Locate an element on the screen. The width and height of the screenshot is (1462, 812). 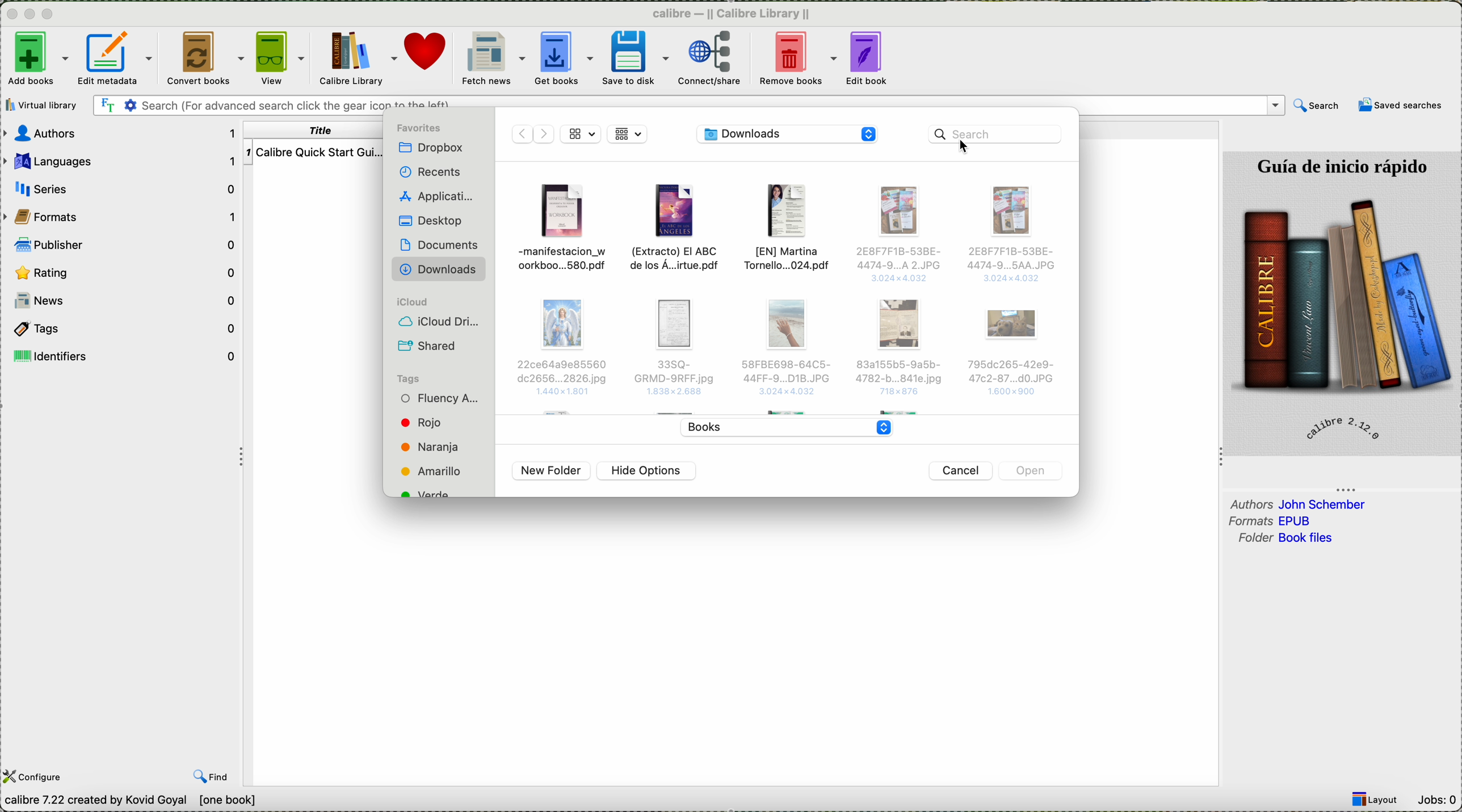
search is located at coordinates (1317, 106).